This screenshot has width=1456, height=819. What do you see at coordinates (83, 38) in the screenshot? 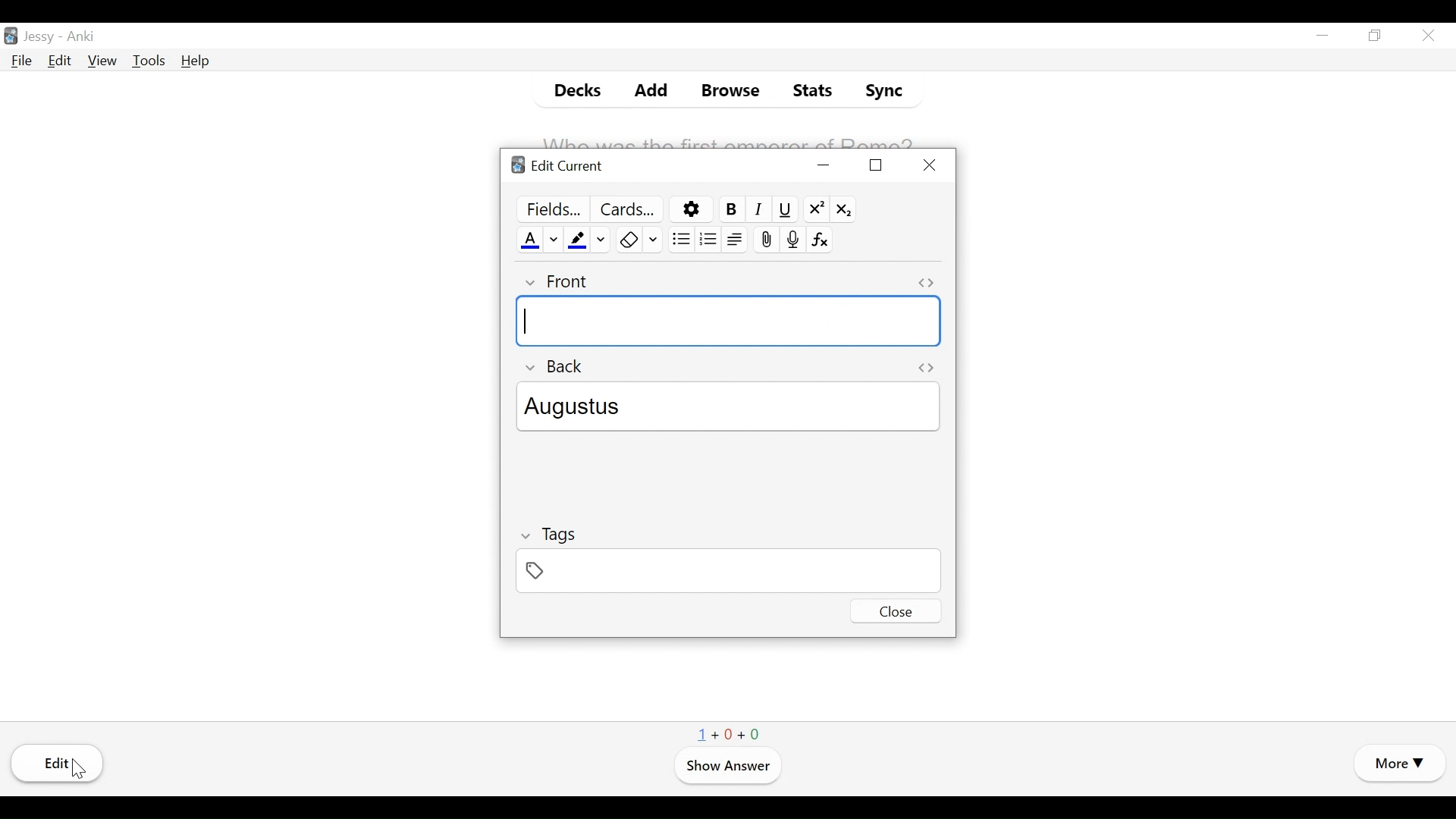
I see `Anki` at bounding box center [83, 38].